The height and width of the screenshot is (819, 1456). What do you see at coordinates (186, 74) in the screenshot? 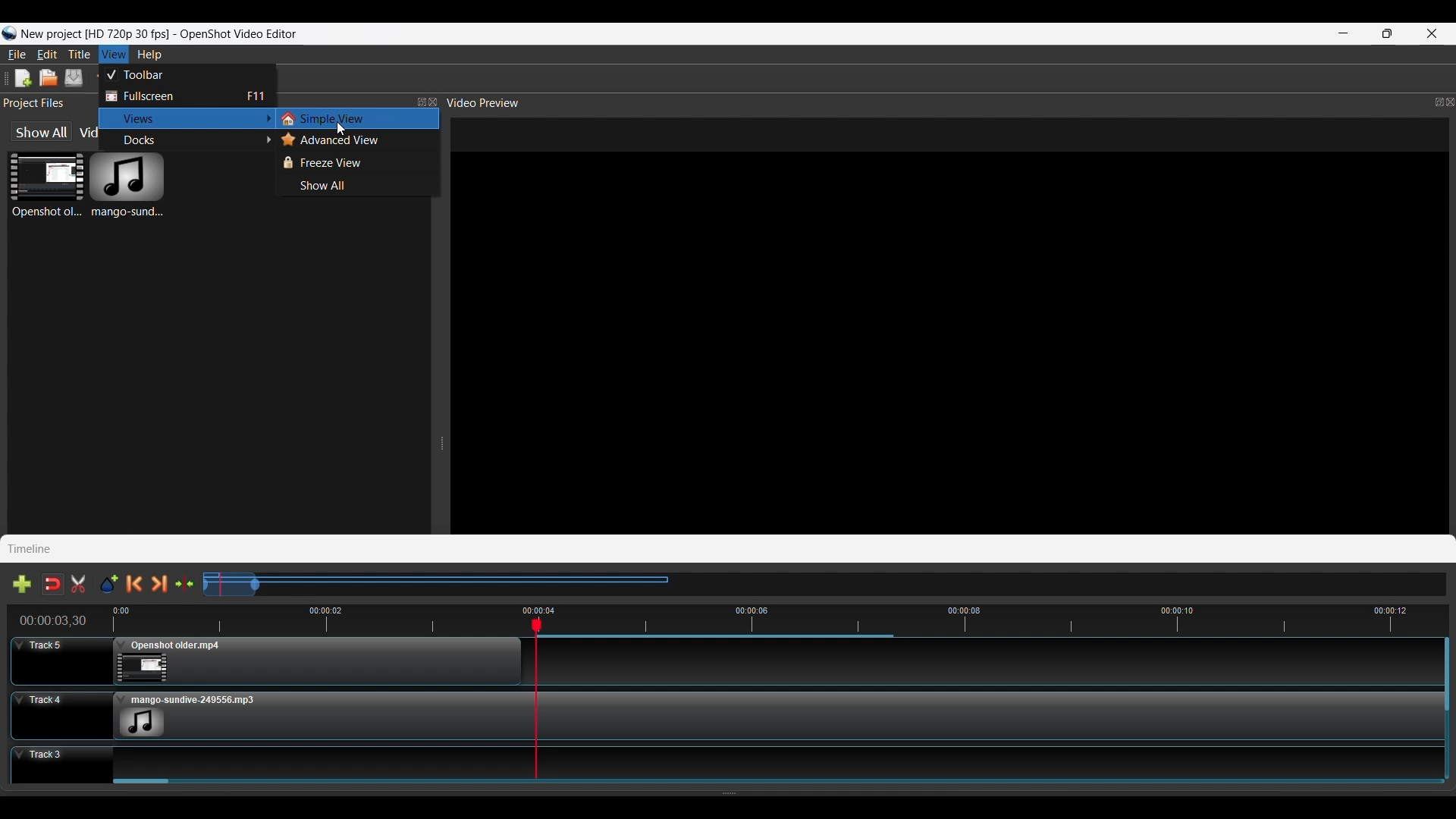
I see `Toolbar` at bounding box center [186, 74].